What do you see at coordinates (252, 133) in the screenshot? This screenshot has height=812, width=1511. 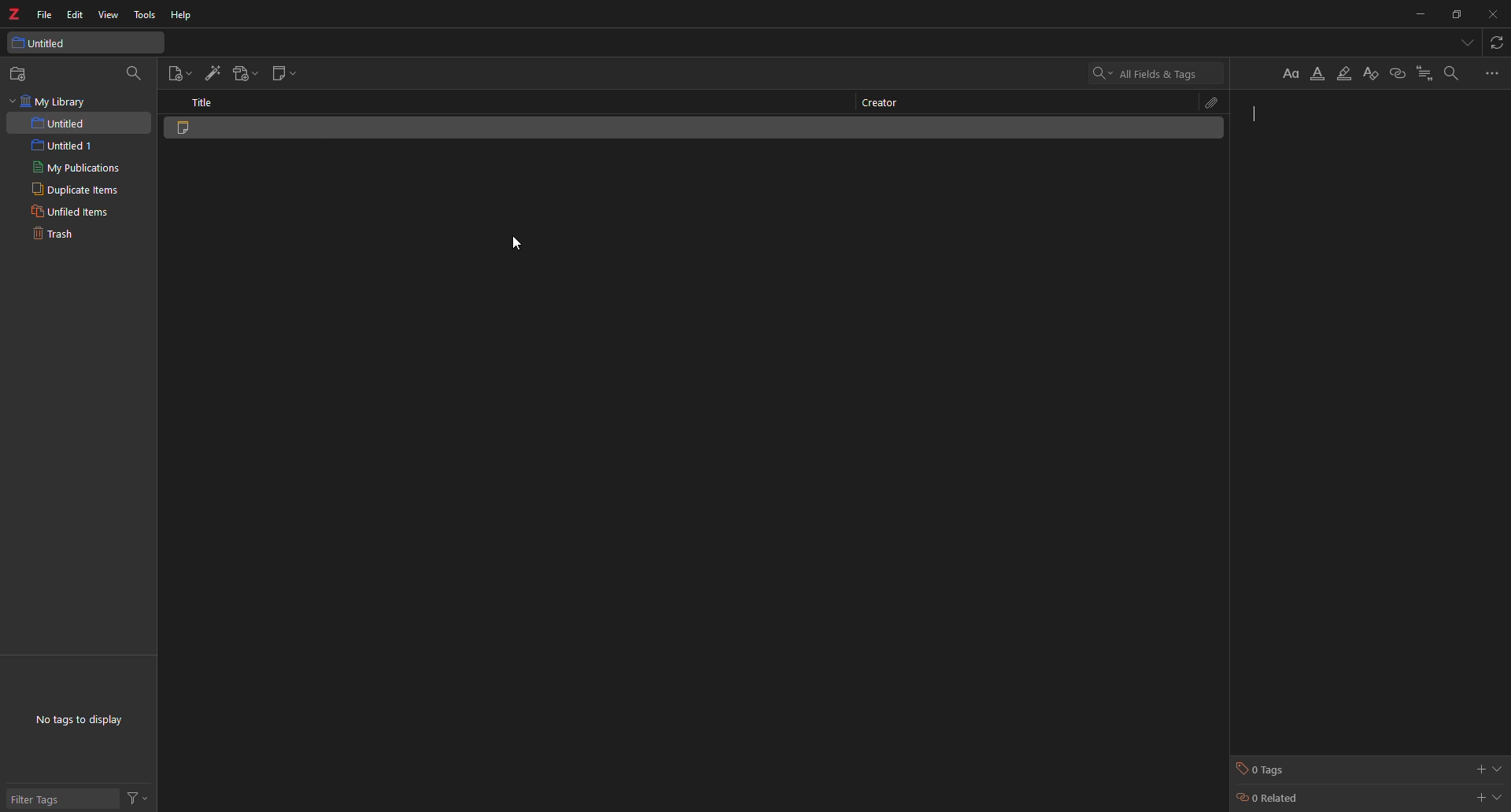 I see `new note added` at bounding box center [252, 133].